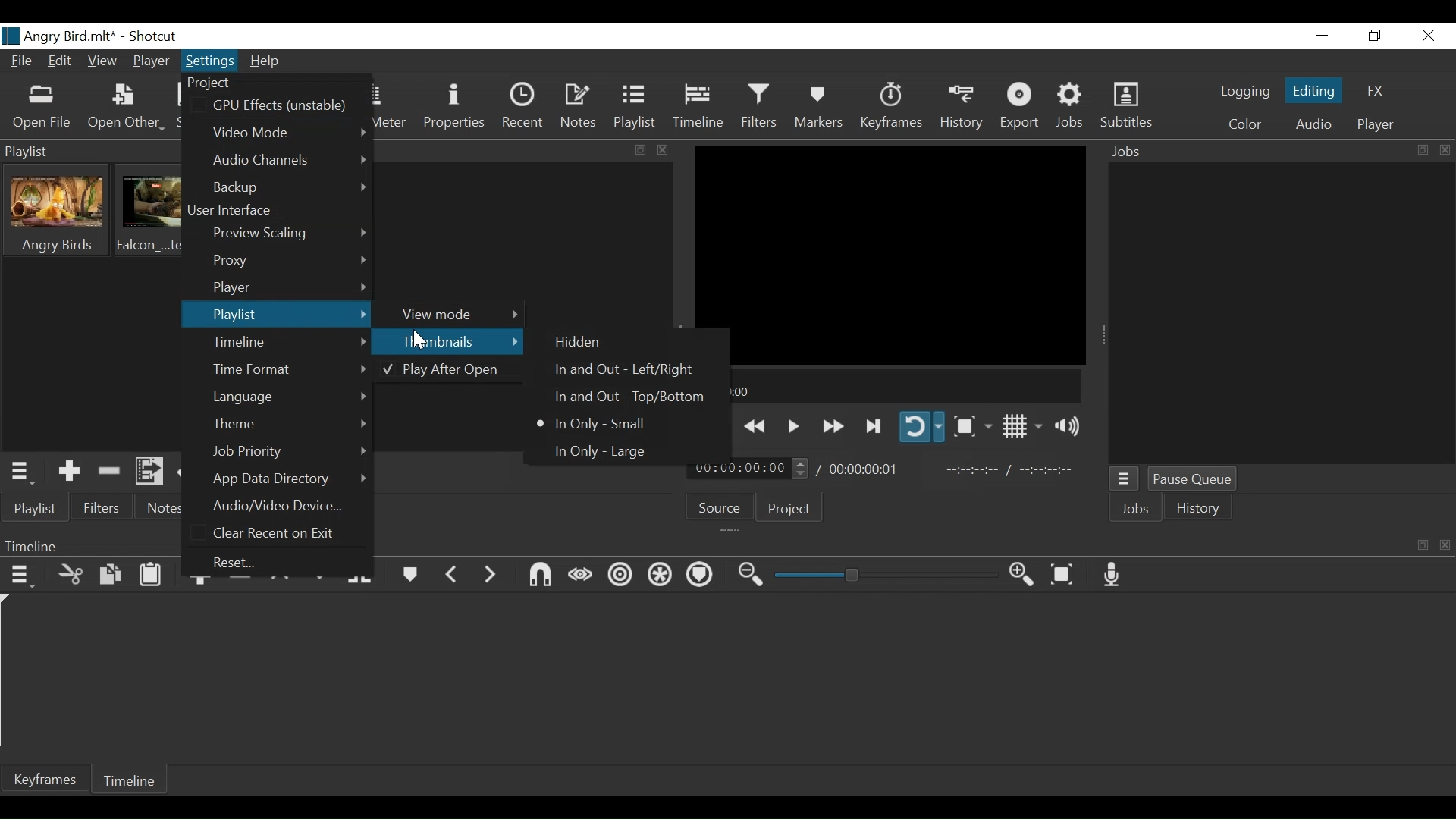 This screenshot has height=819, width=1456. I want to click on Hidden, so click(580, 343).